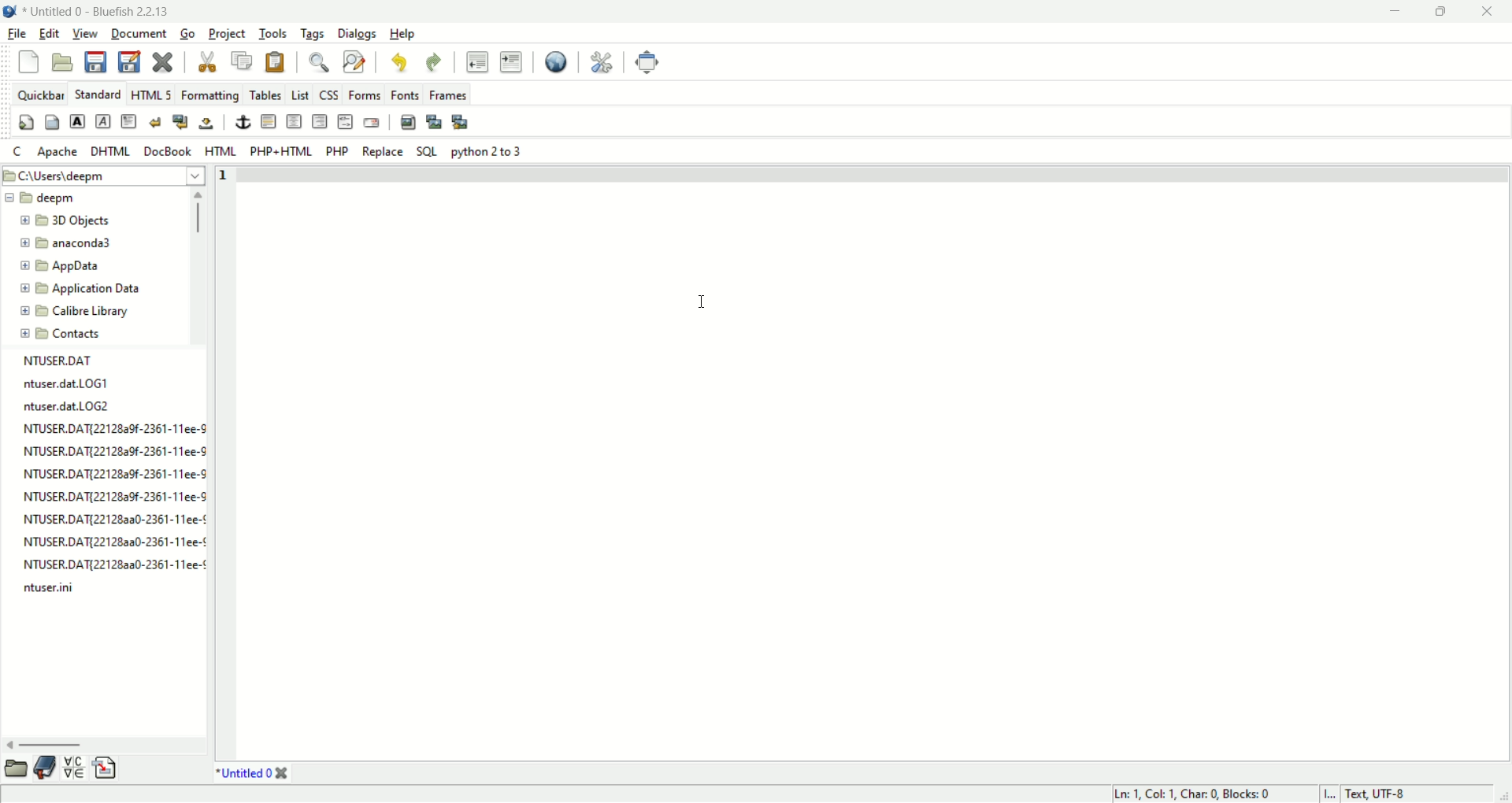 The height and width of the screenshot is (803, 1512). I want to click on quickstart, so click(28, 123).